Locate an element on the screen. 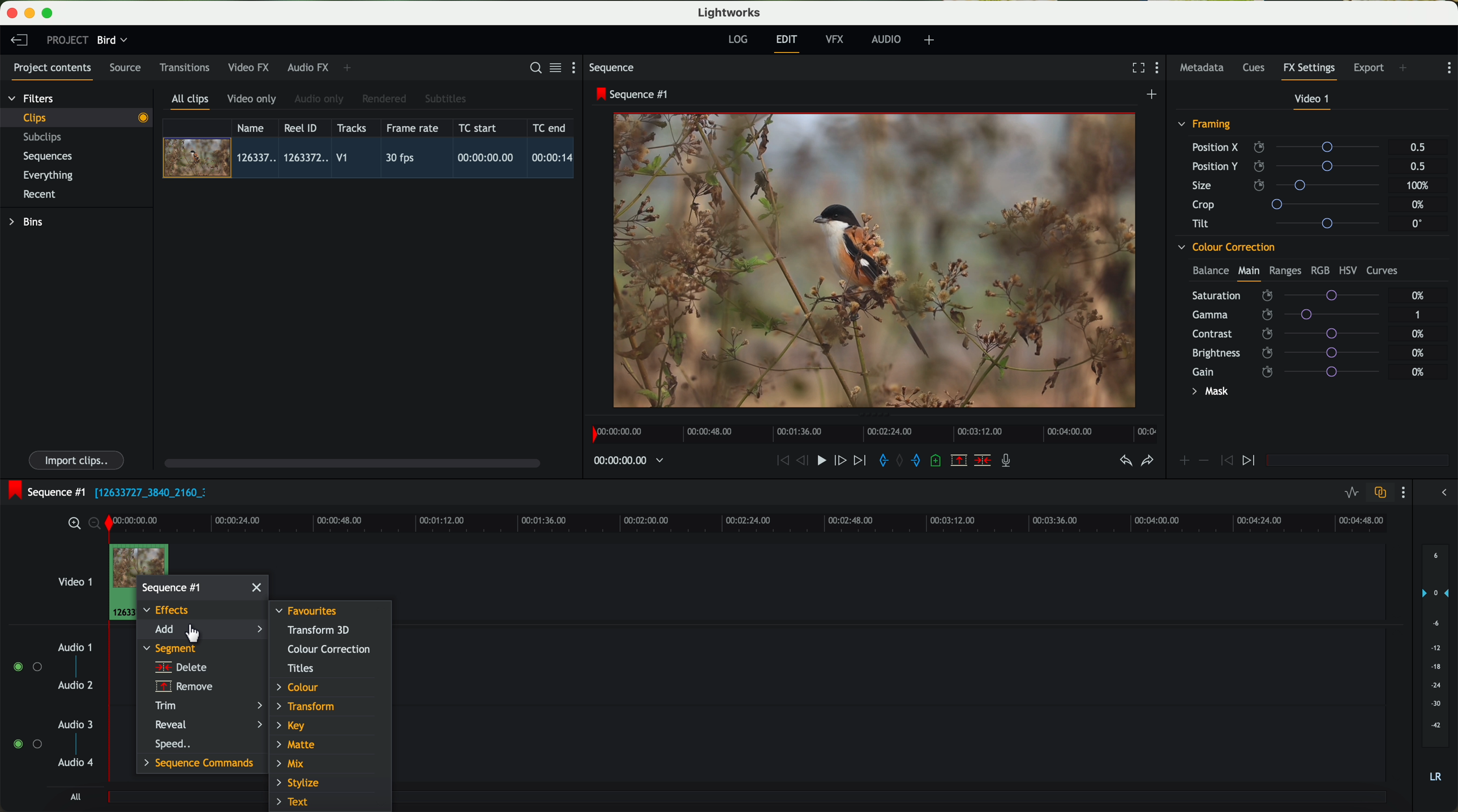 This screenshot has height=812, width=1458. remove the marked section is located at coordinates (960, 461).